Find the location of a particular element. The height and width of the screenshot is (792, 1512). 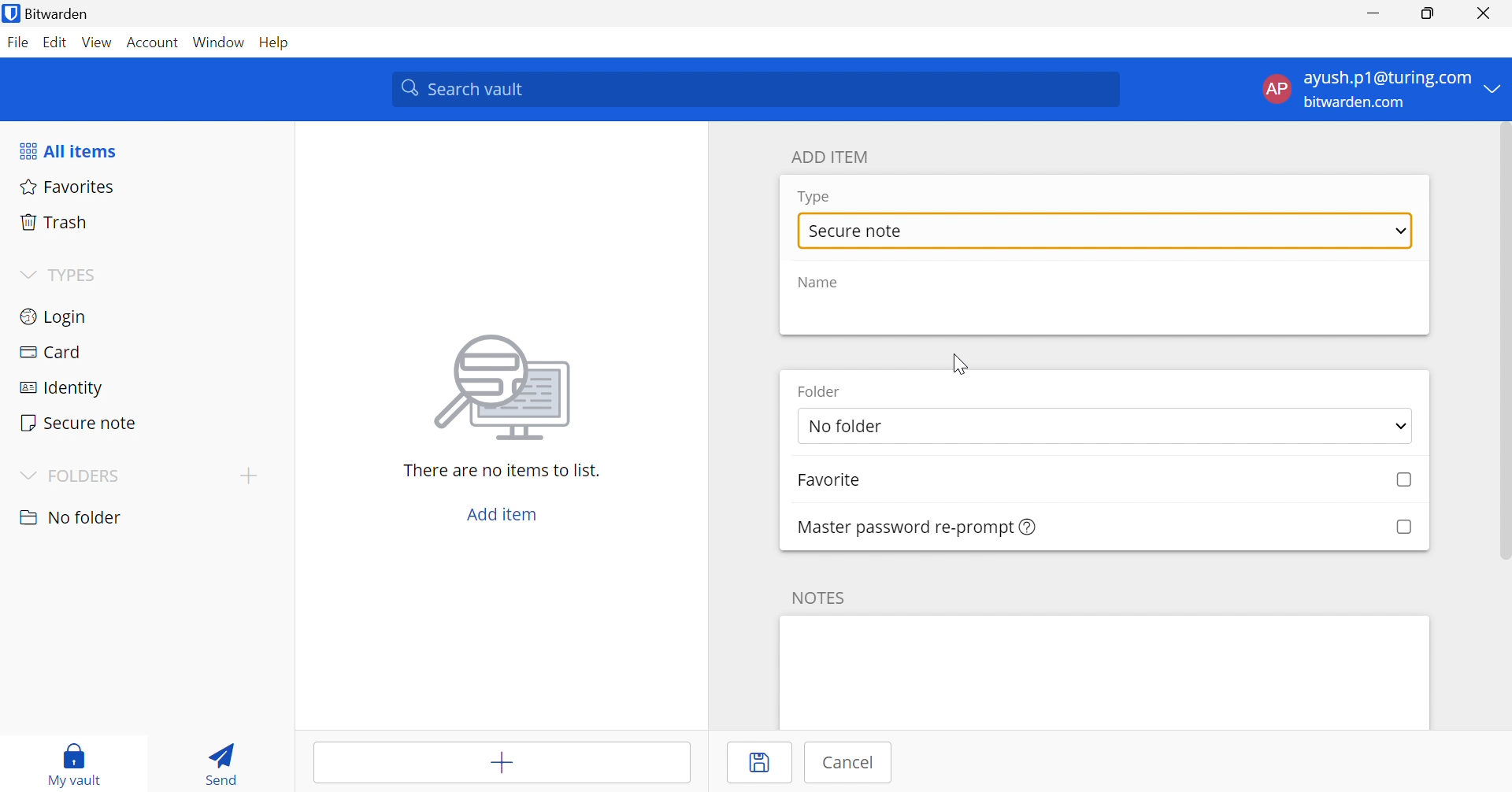

Identity is located at coordinates (140, 383).